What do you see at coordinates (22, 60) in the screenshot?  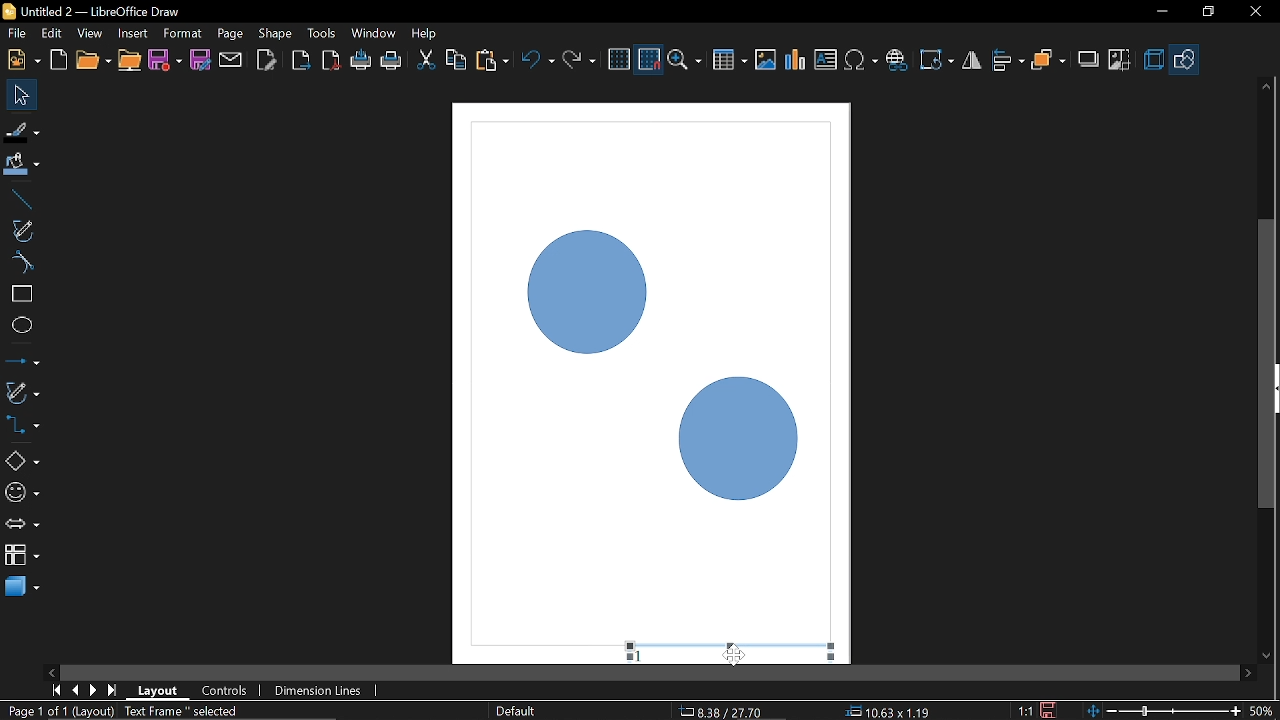 I see `New` at bounding box center [22, 60].